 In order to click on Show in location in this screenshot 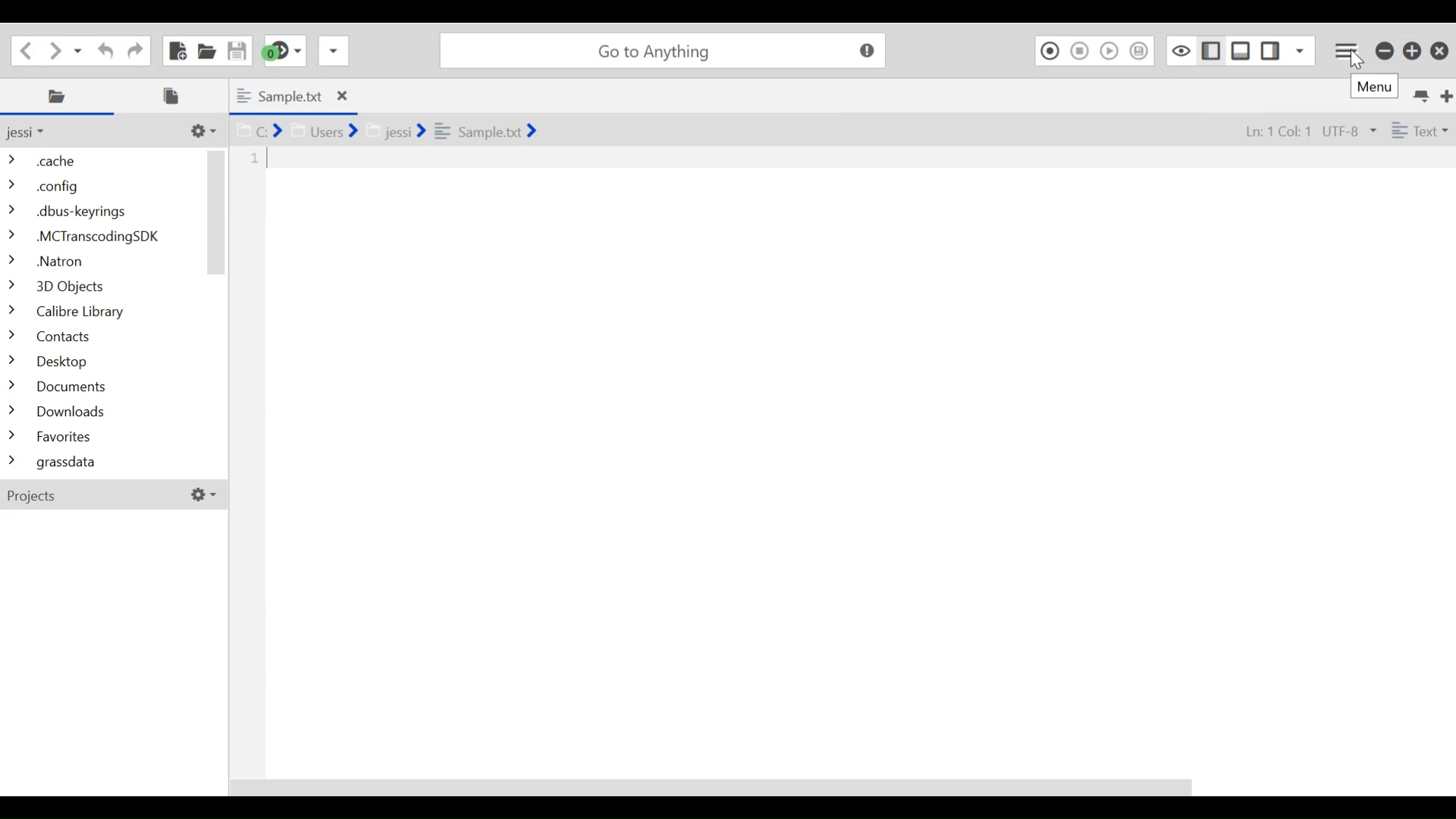, I will do `click(384, 129)`.